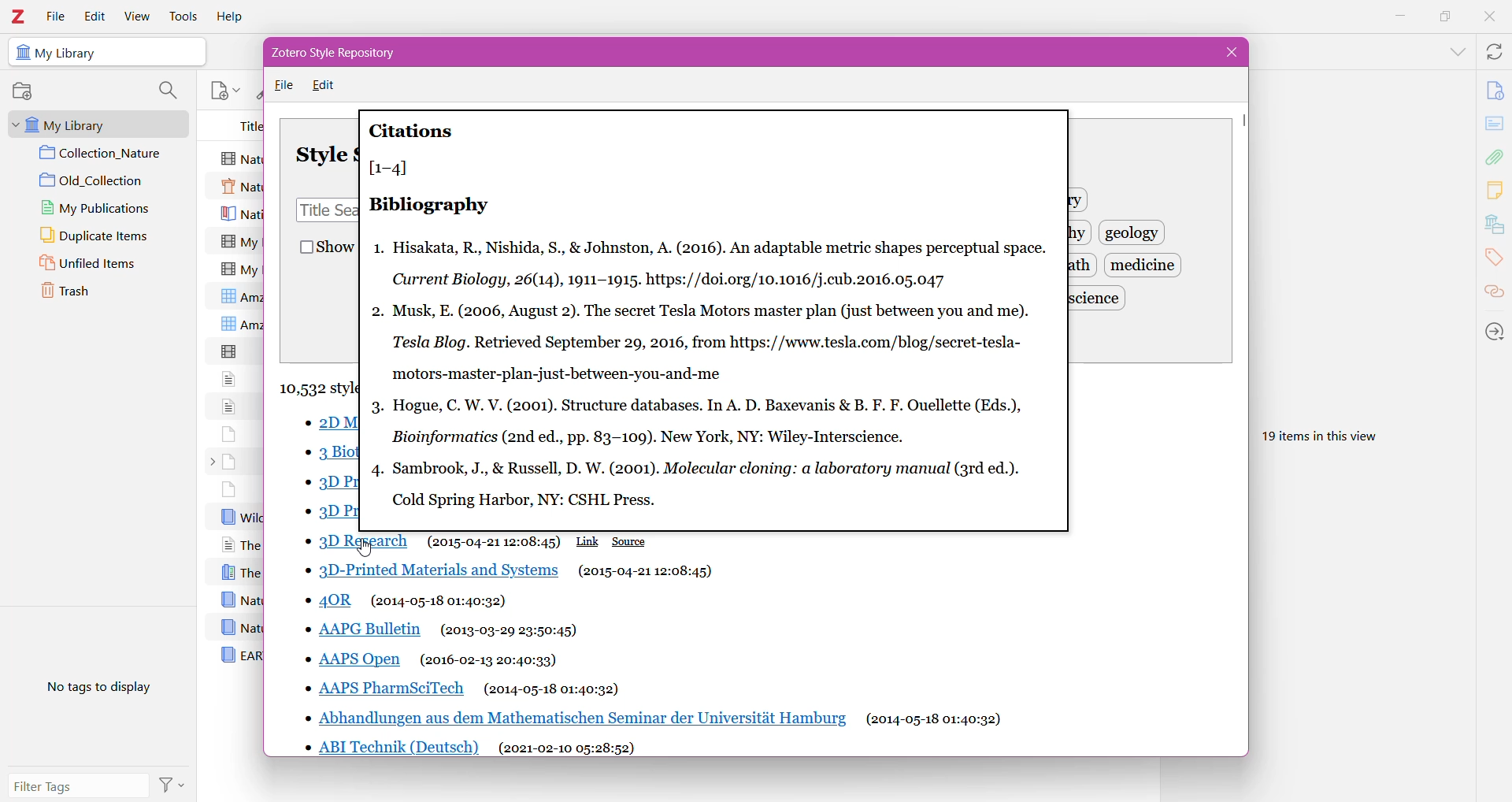  Describe the element at coordinates (376, 410) in the screenshot. I see `3.` at that location.